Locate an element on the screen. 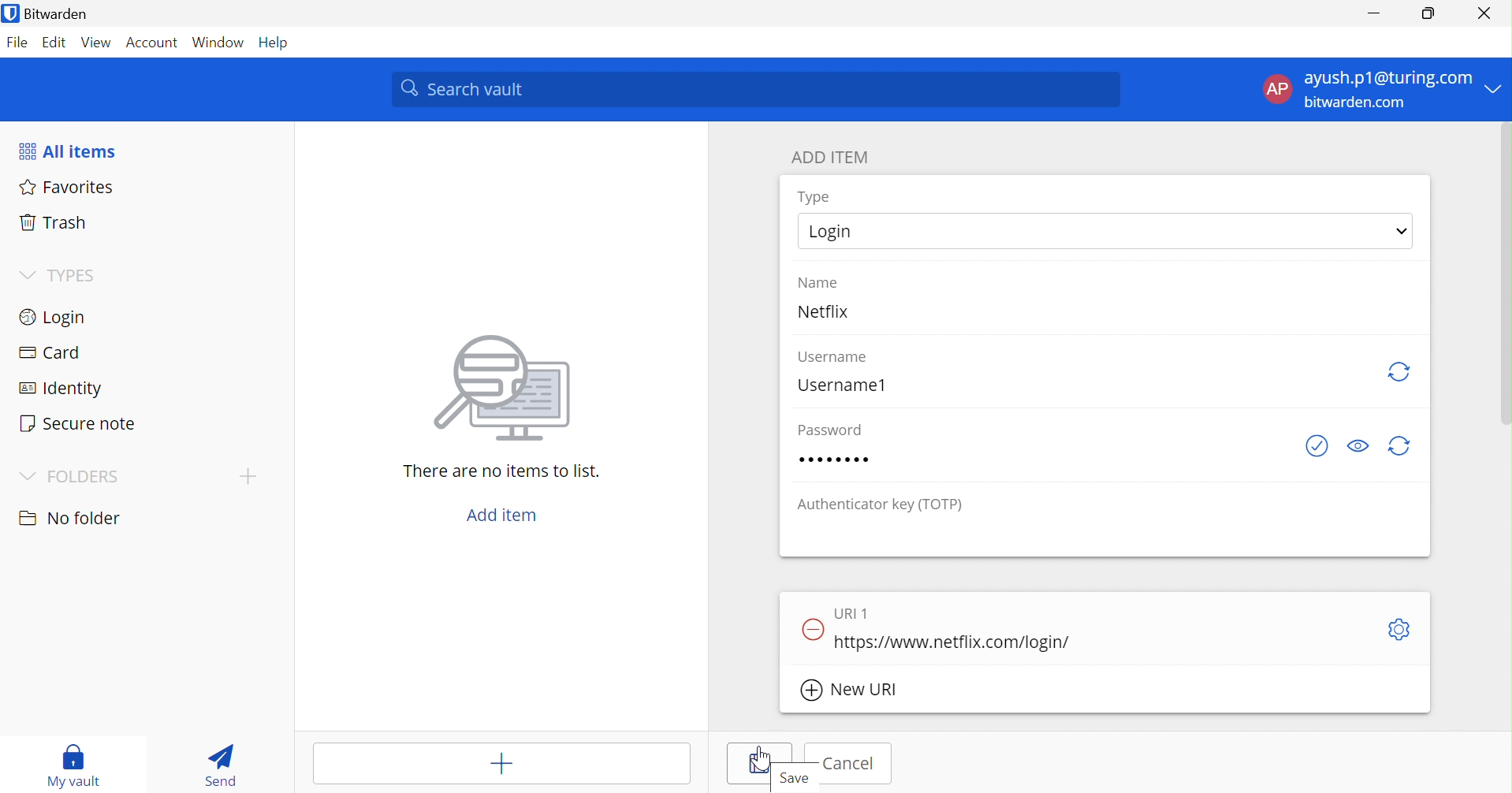 Image resolution: width=1512 pixels, height=793 pixels. Search vault is located at coordinates (754, 90).